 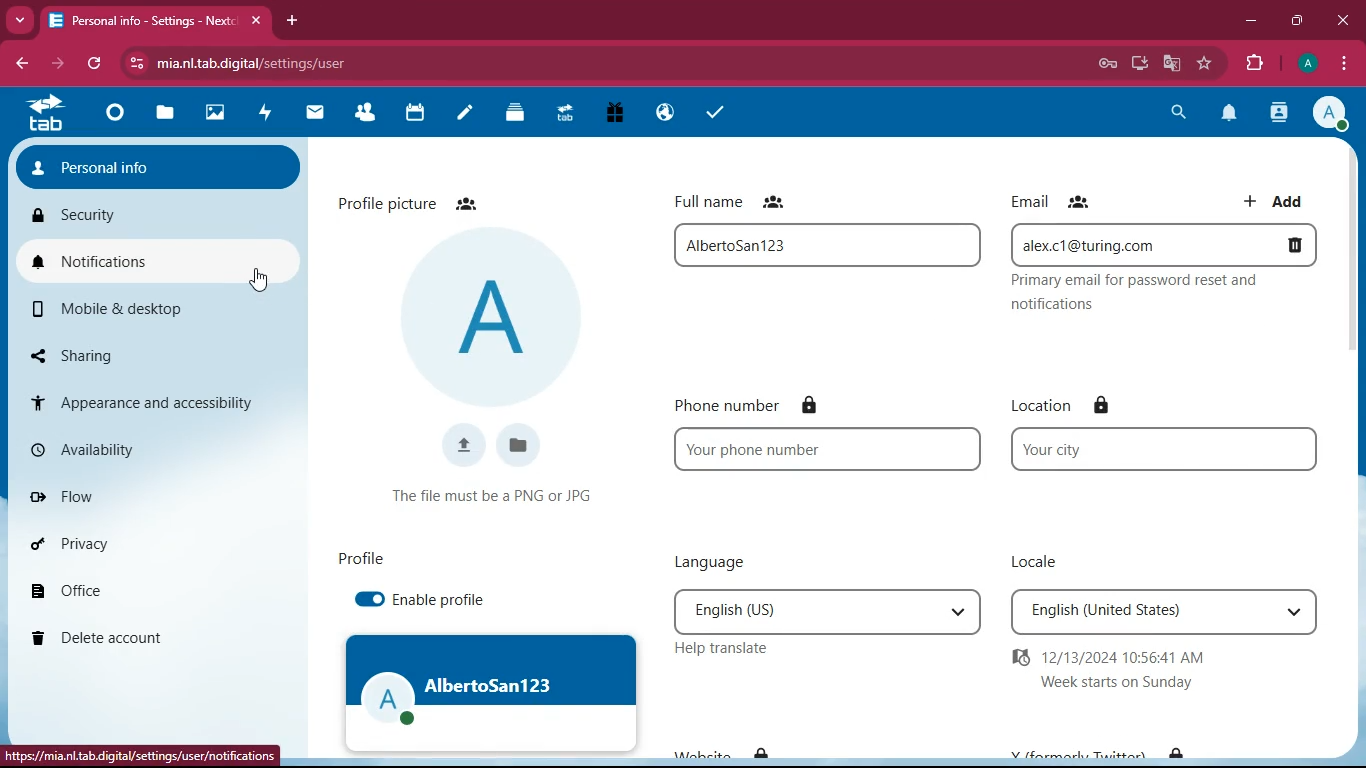 I want to click on privacy, so click(x=155, y=546).